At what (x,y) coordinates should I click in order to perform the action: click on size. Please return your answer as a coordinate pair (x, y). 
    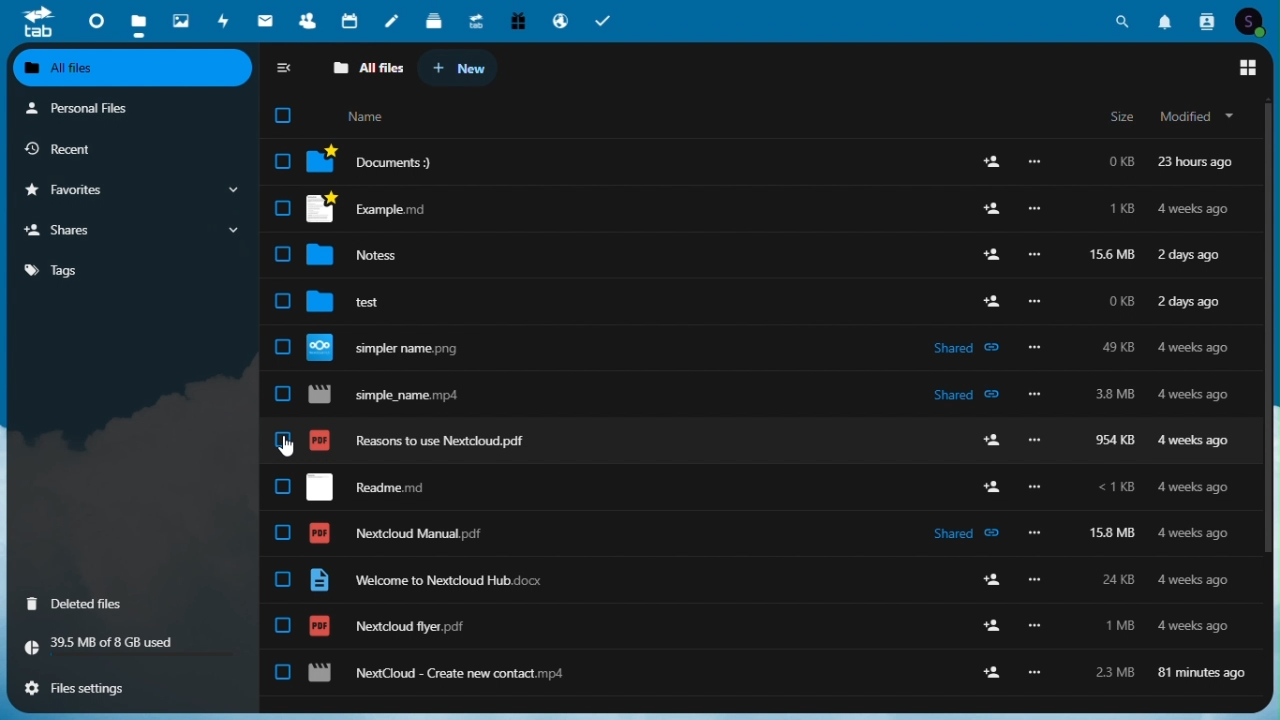
    Looking at the image, I should click on (1121, 117).